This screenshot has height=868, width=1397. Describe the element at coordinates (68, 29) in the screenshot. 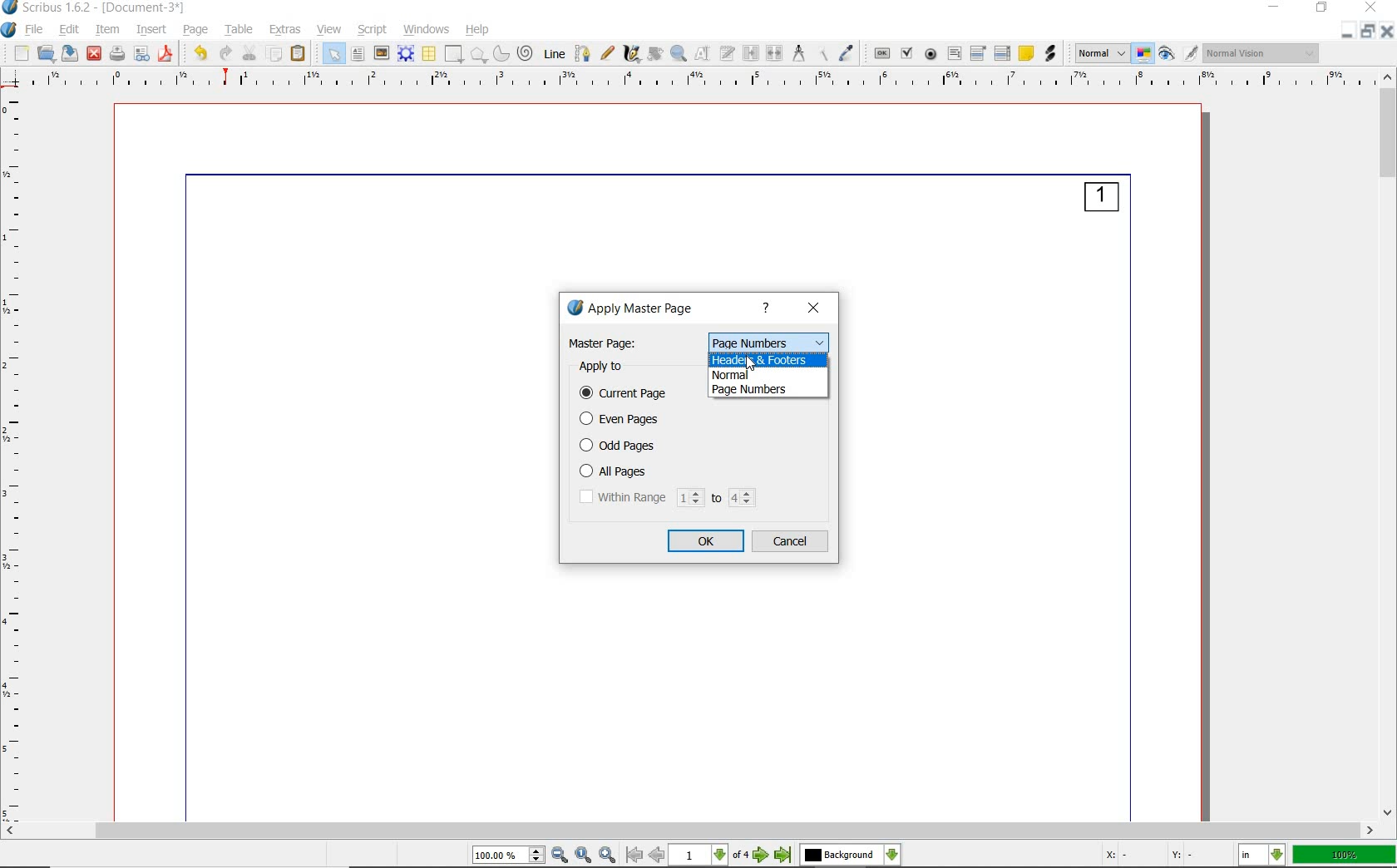

I see `edit` at that location.